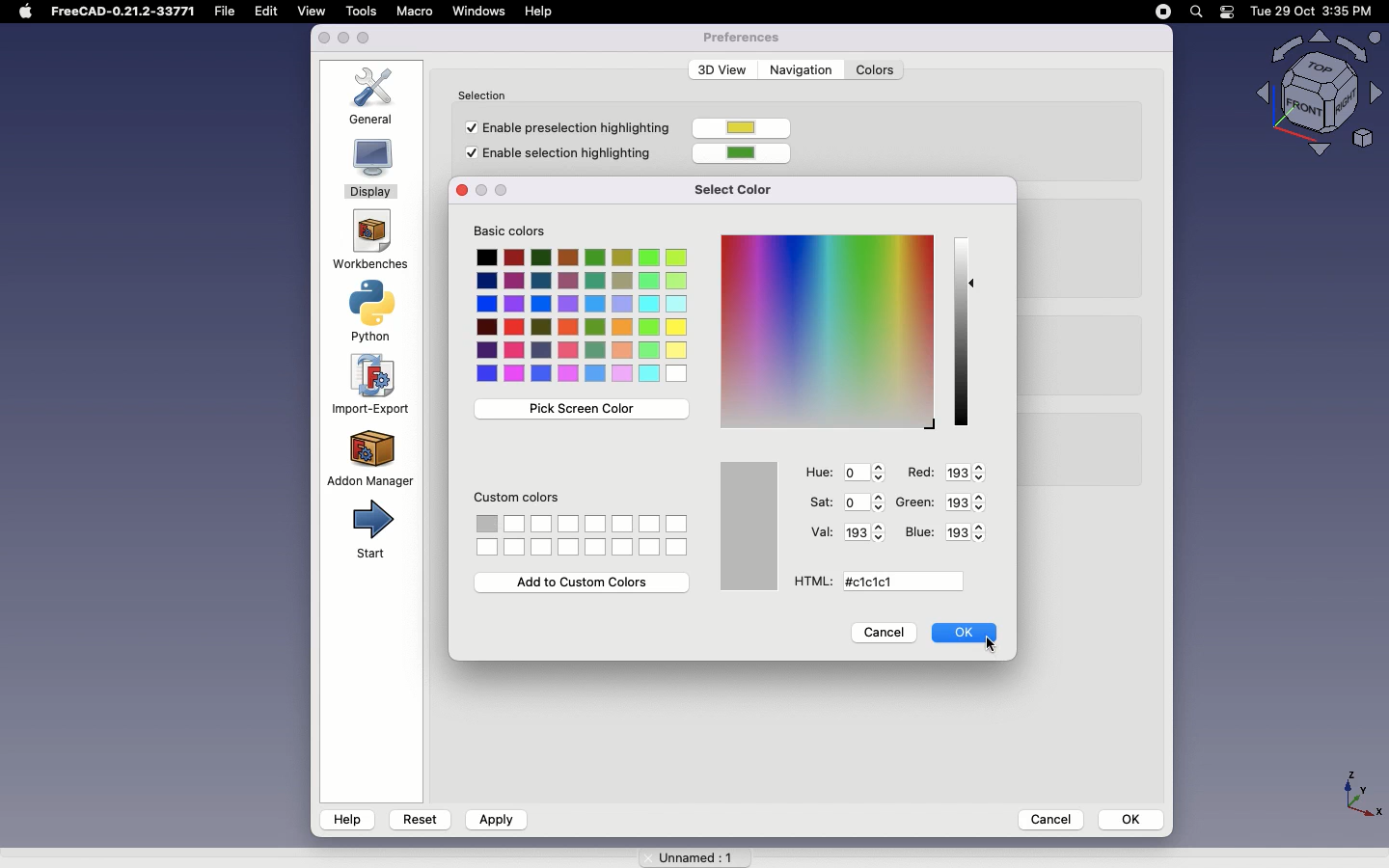 The image size is (1389, 868). I want to click on #c1c1c1, so click(876, 583).